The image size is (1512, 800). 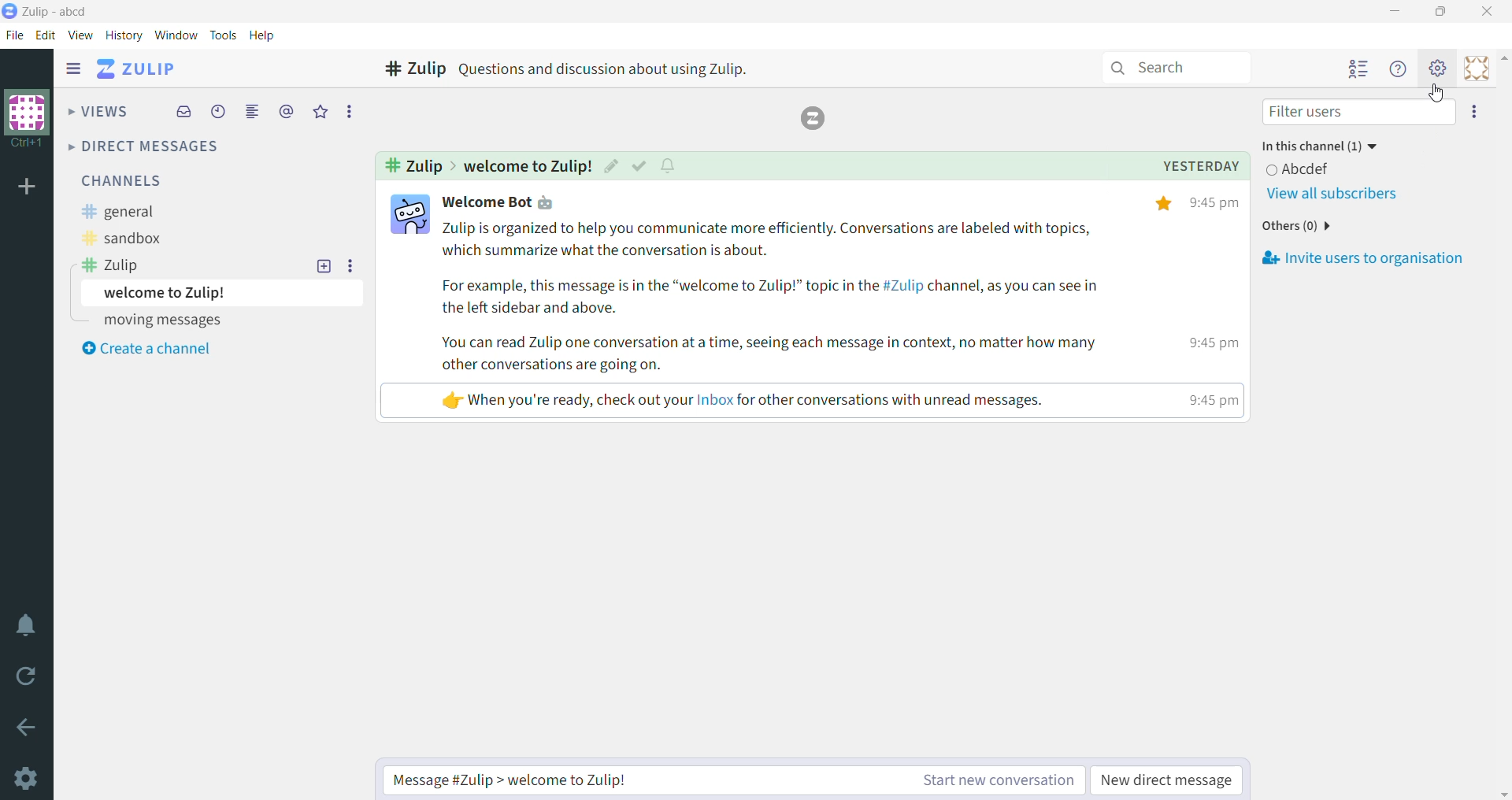 What do you see at coordinates (1169, 780) in the screenshot?
I see `New direct message` at bounding box center [1169, 780].